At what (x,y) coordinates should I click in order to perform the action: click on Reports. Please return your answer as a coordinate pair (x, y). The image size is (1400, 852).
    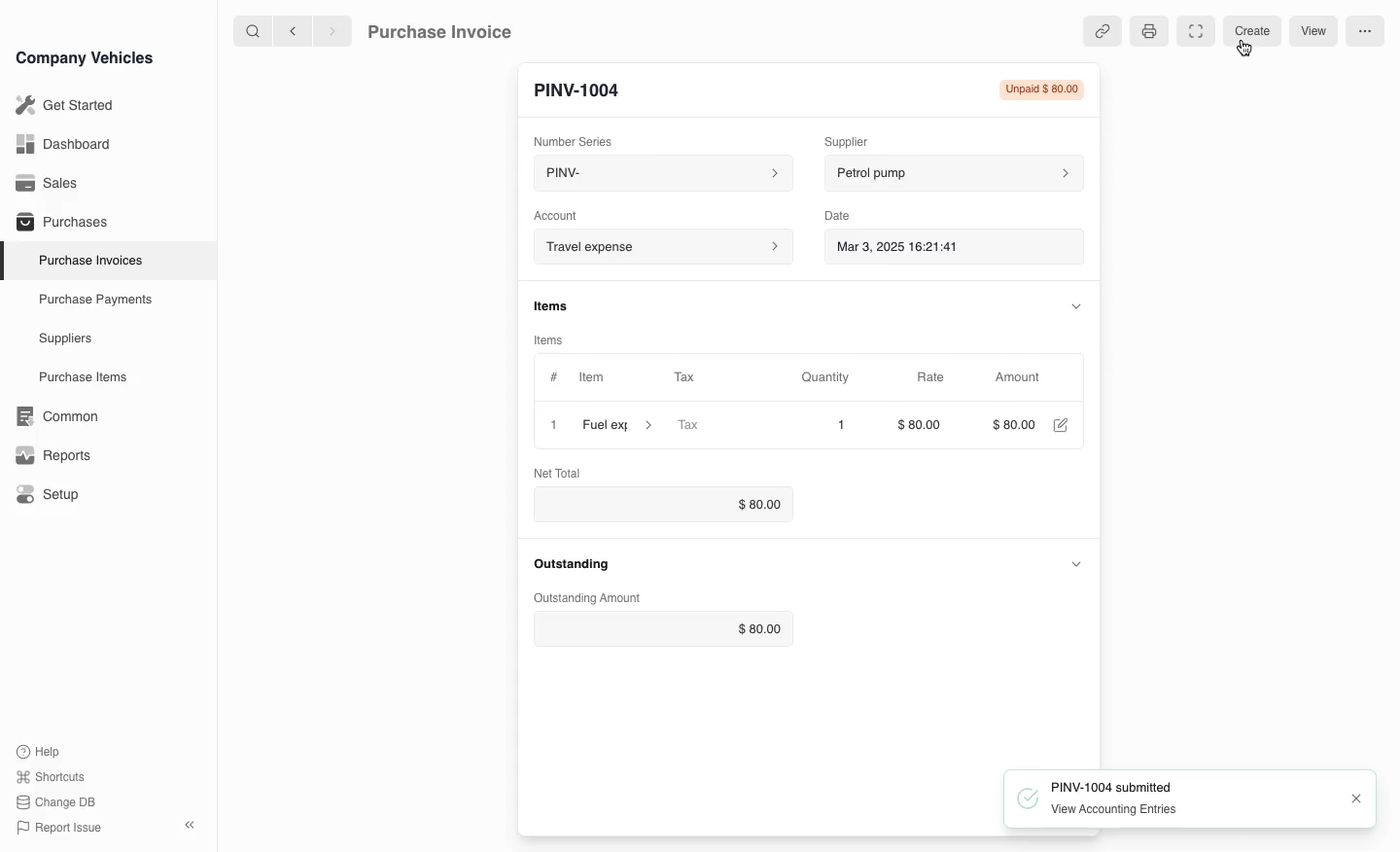
    Looking at the image, I should click on (53, 455).